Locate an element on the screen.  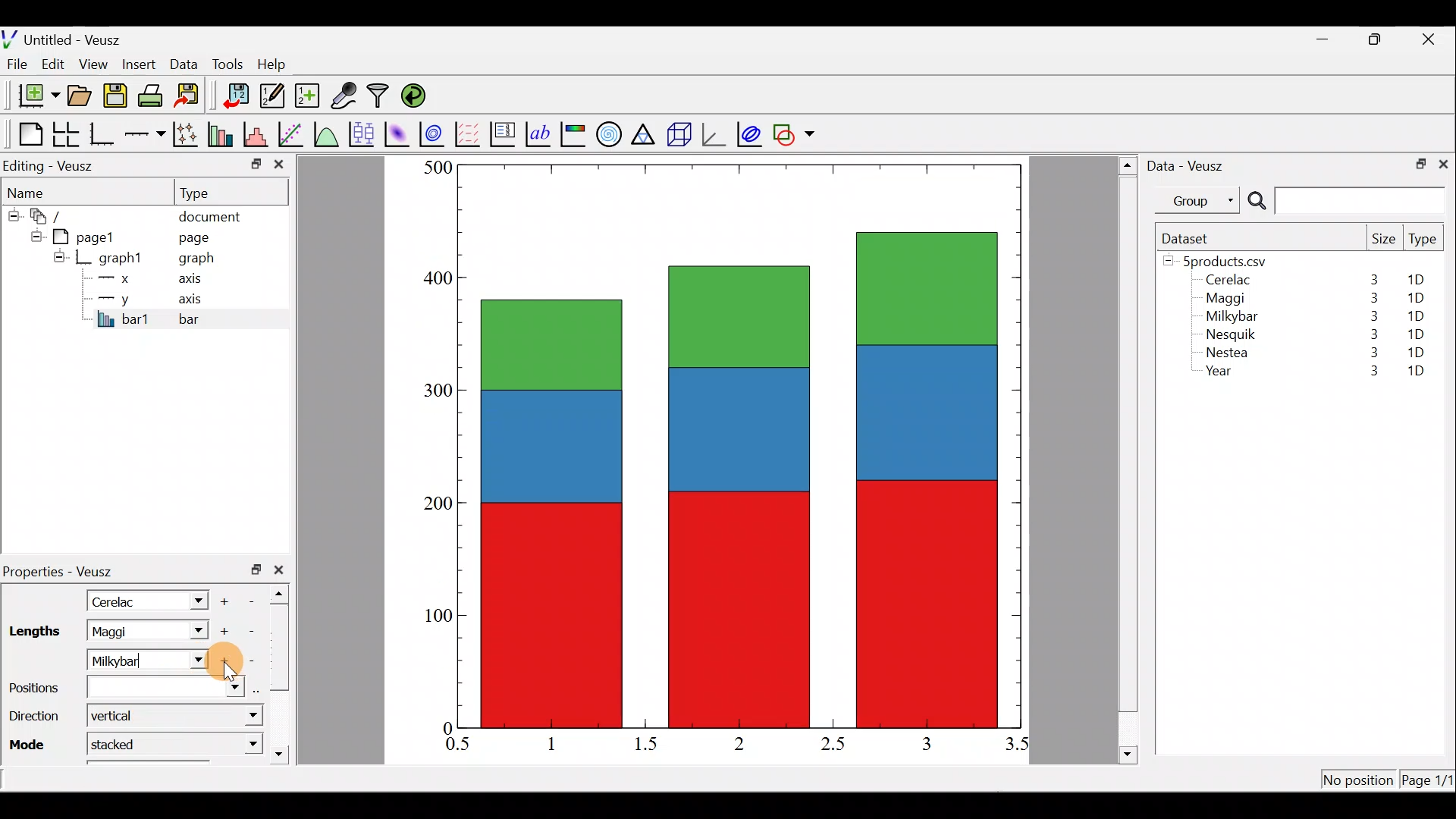
Text label is located at coordinates (540, 132).